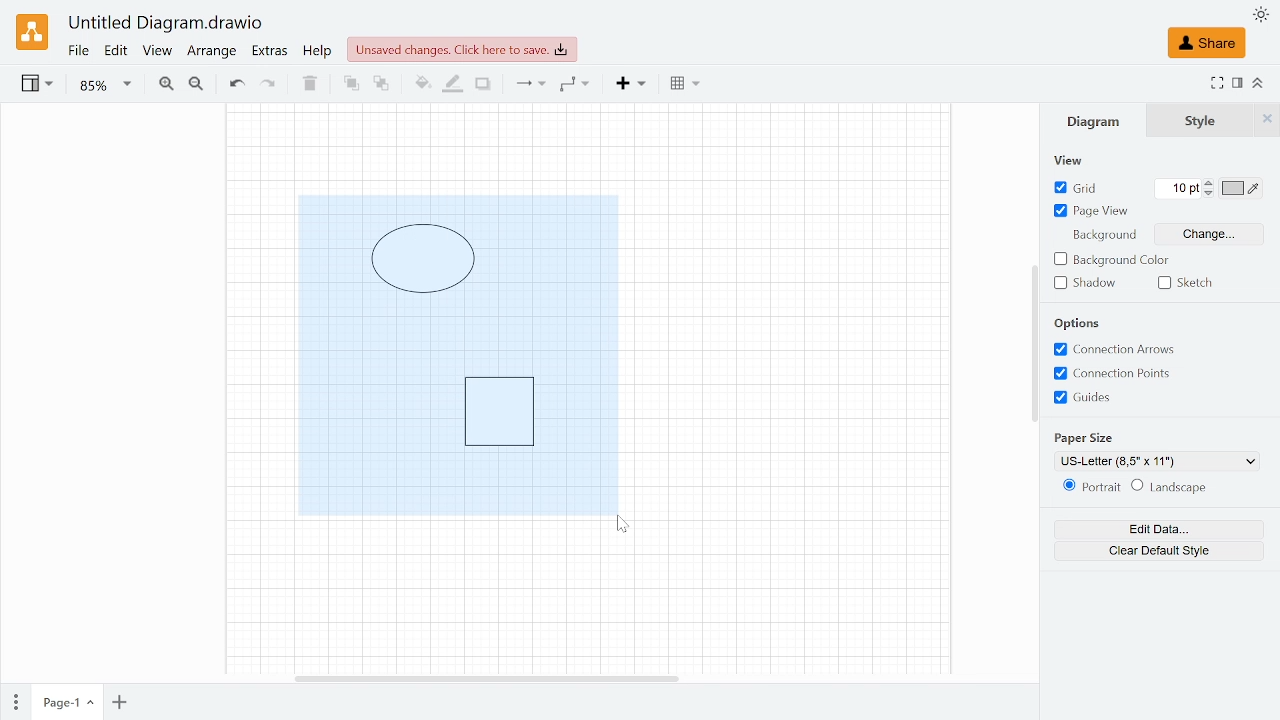 The height and width of the screenshot is (720, 1280). Describe the element at coordinates (117, 52) in the screenshot. I see `Edit` at that location.